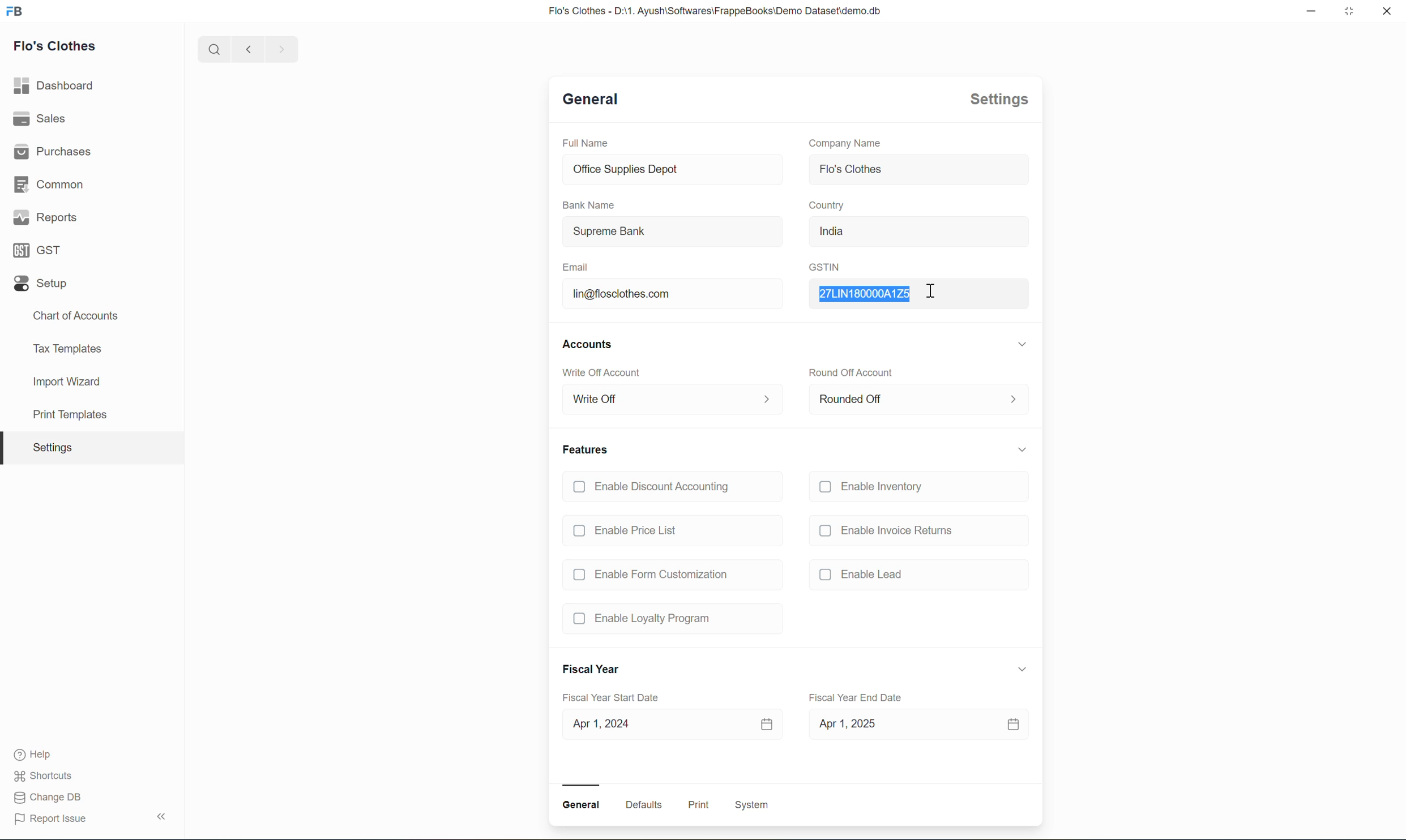 This screenshot has width=1406, height=840. Describe the element at coordinates (649, 575) in the screenshot. I see `Enable Form Customization` at that location.